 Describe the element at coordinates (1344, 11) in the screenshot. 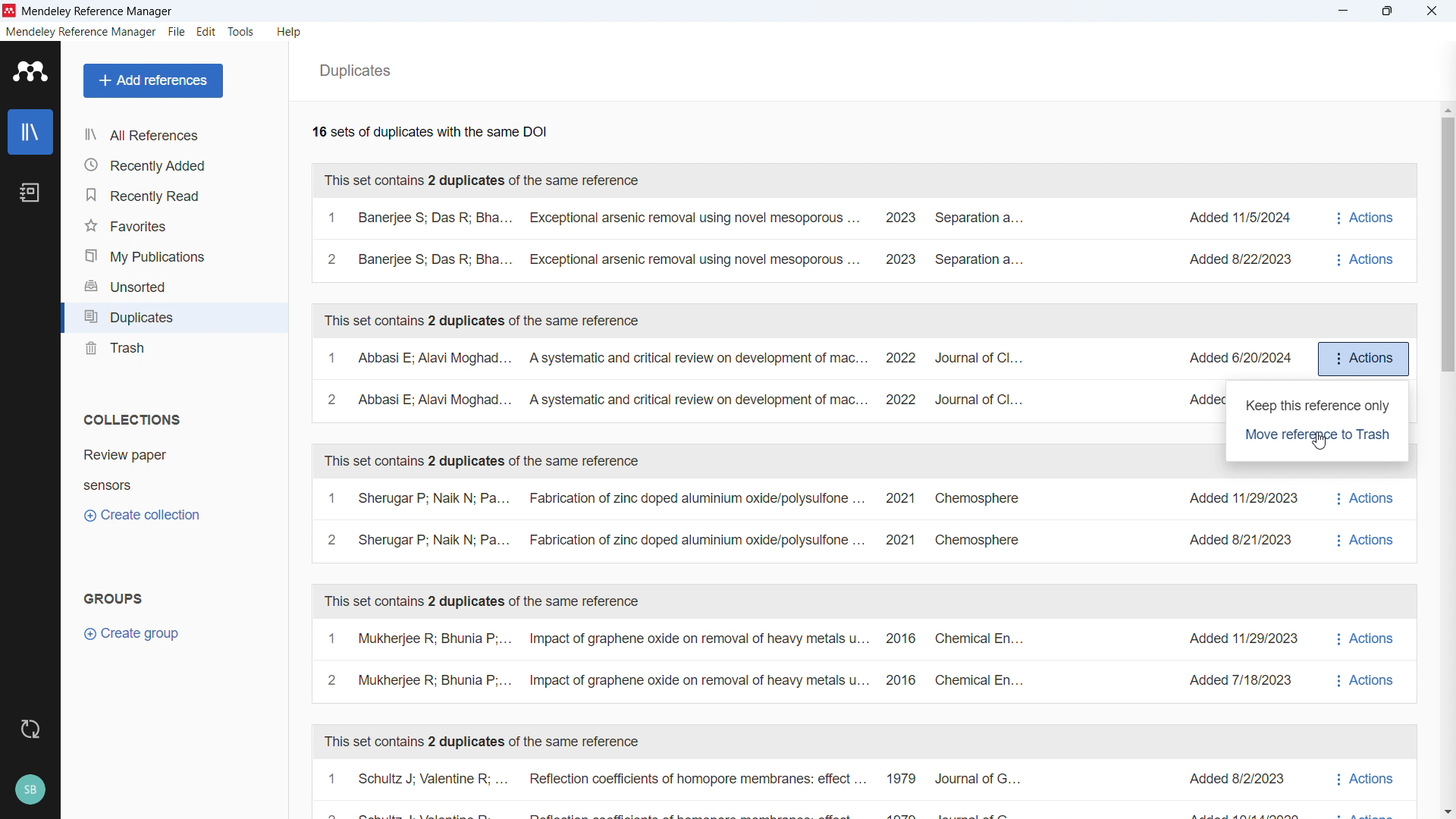

I see `minimise ` at that location.